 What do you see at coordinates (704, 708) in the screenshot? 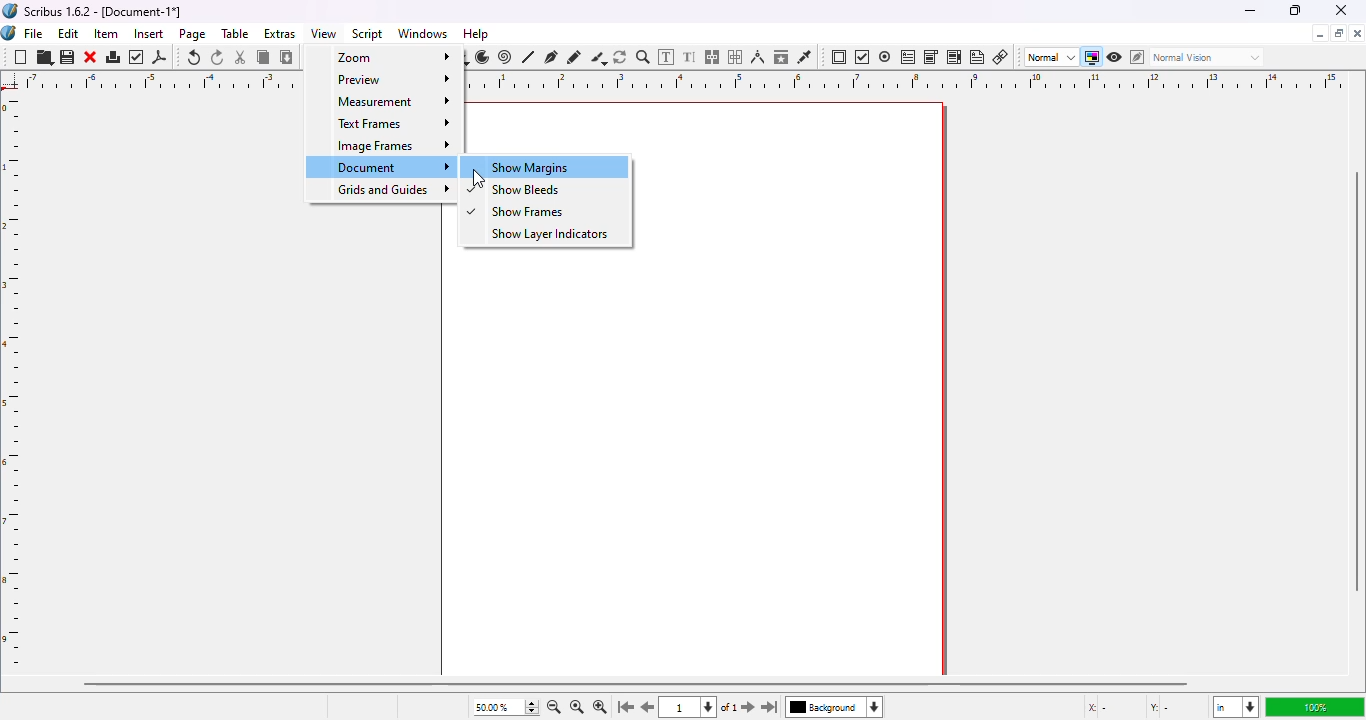
I see `1 of 1` at bounding box center [704, 708].